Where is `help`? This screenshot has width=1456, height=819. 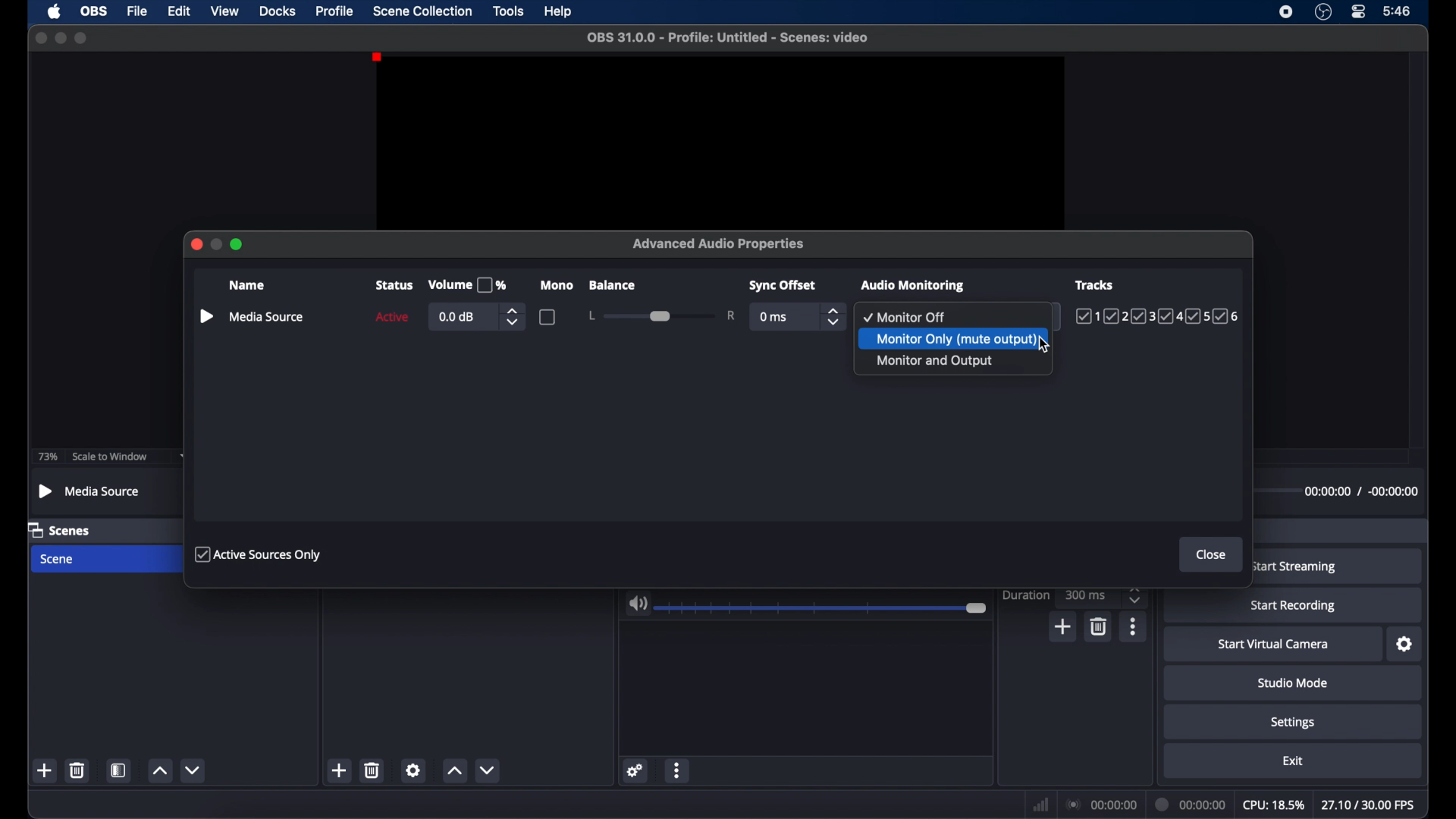
help is located at coordinates (560, 11).